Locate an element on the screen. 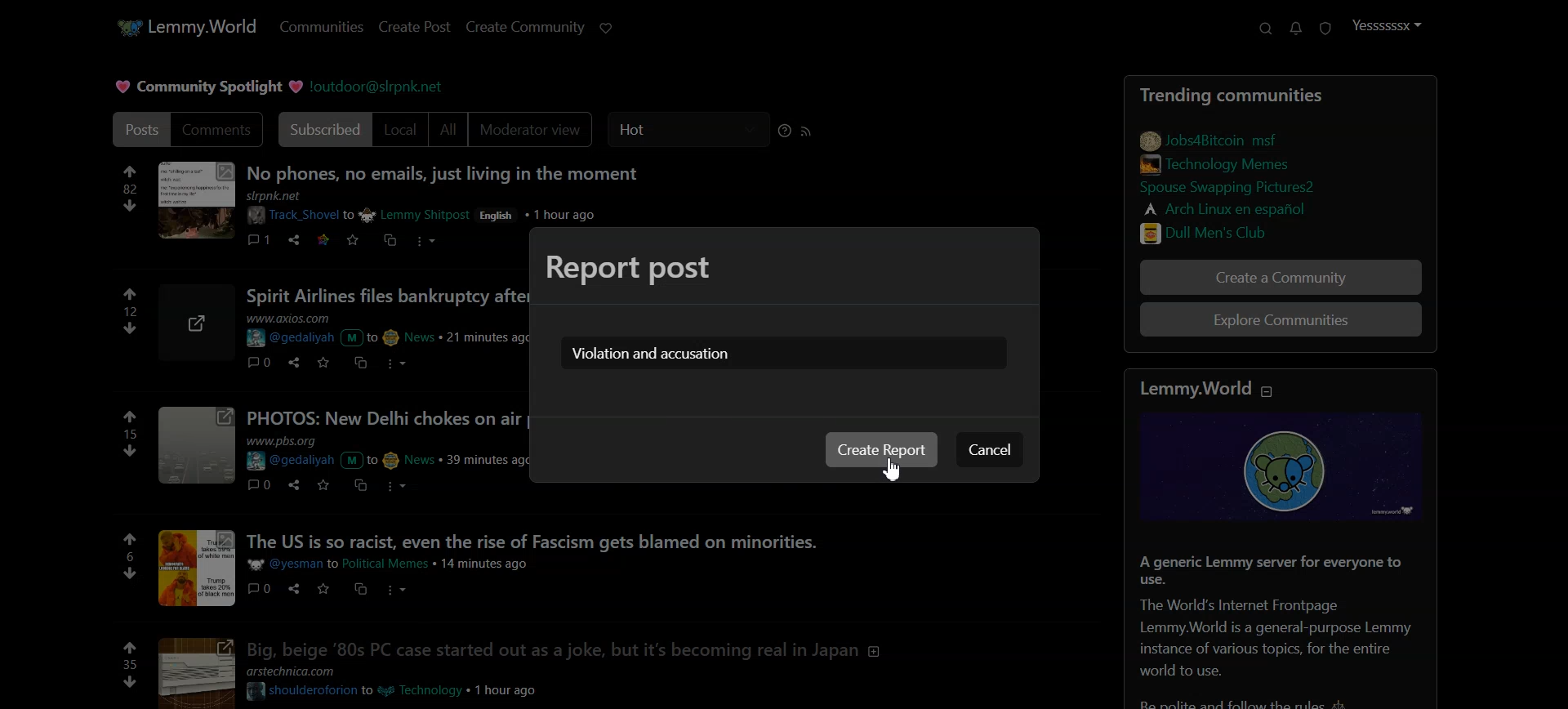  55707 is located at coordinates (132, 326).